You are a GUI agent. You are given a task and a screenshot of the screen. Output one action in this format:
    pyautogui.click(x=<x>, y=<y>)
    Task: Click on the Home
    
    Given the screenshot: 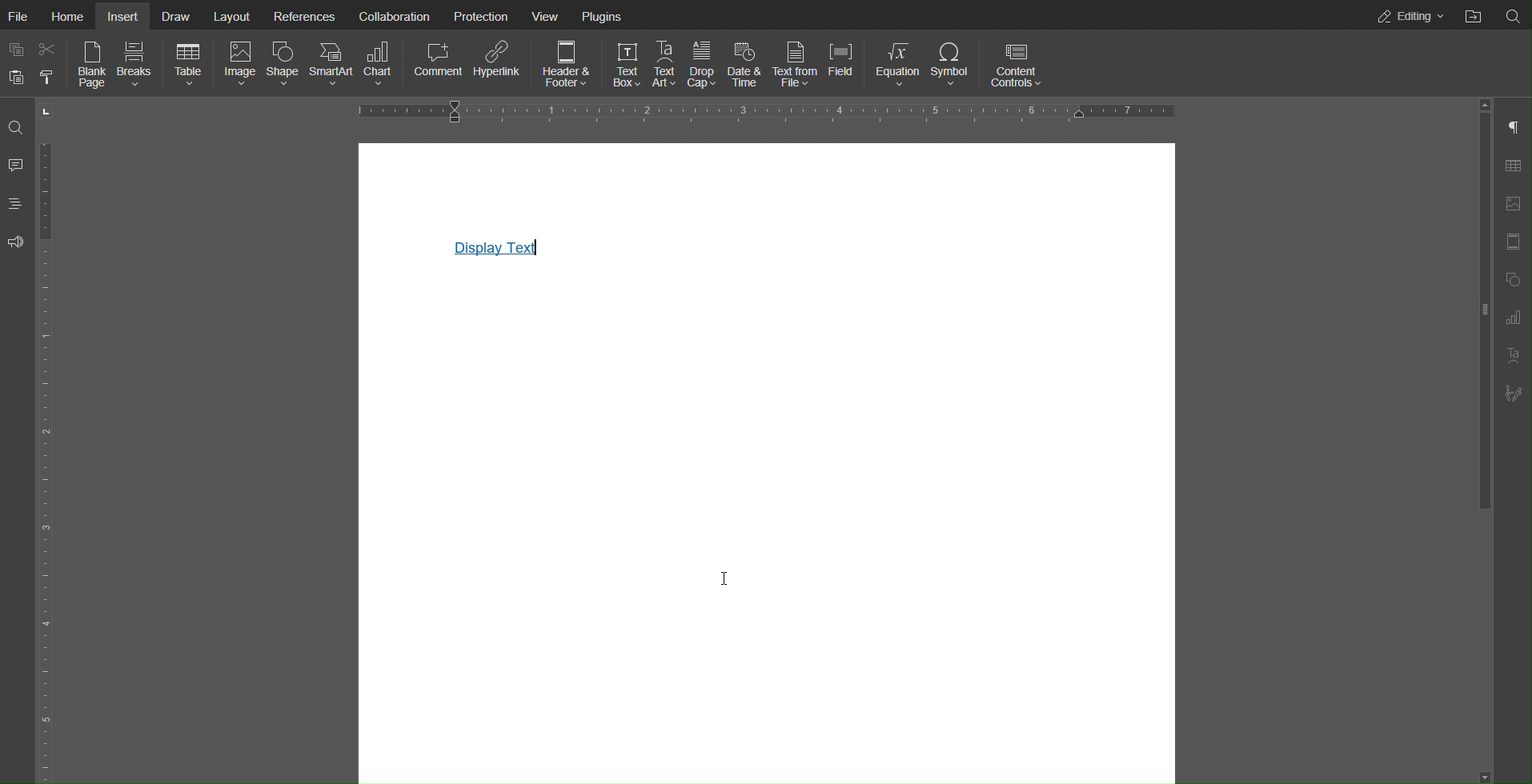 What is the action you would take?
    pyautogui.click(x=71, y=16)
    